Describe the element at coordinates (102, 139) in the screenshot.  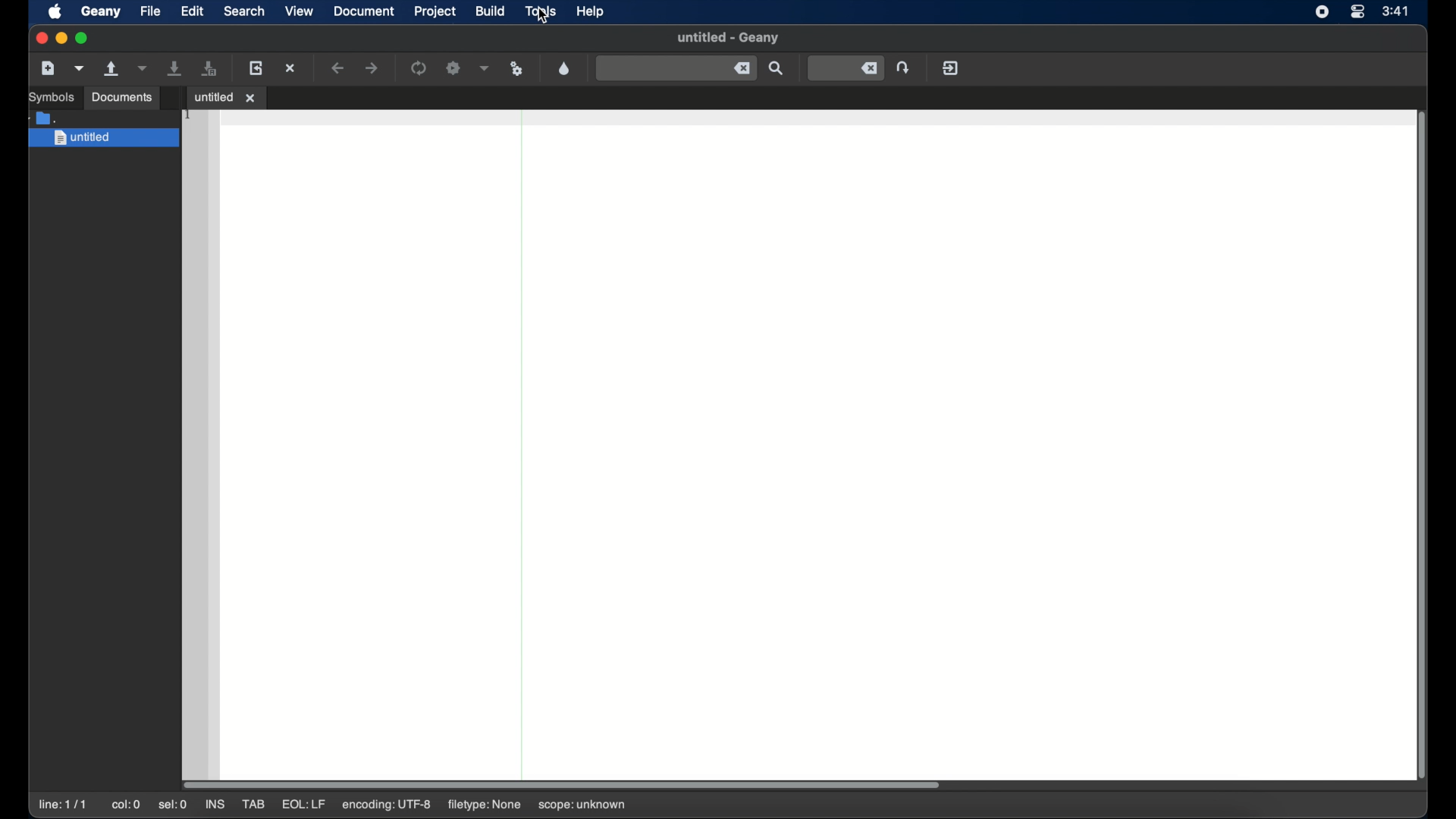
I see `untitled` at that location.